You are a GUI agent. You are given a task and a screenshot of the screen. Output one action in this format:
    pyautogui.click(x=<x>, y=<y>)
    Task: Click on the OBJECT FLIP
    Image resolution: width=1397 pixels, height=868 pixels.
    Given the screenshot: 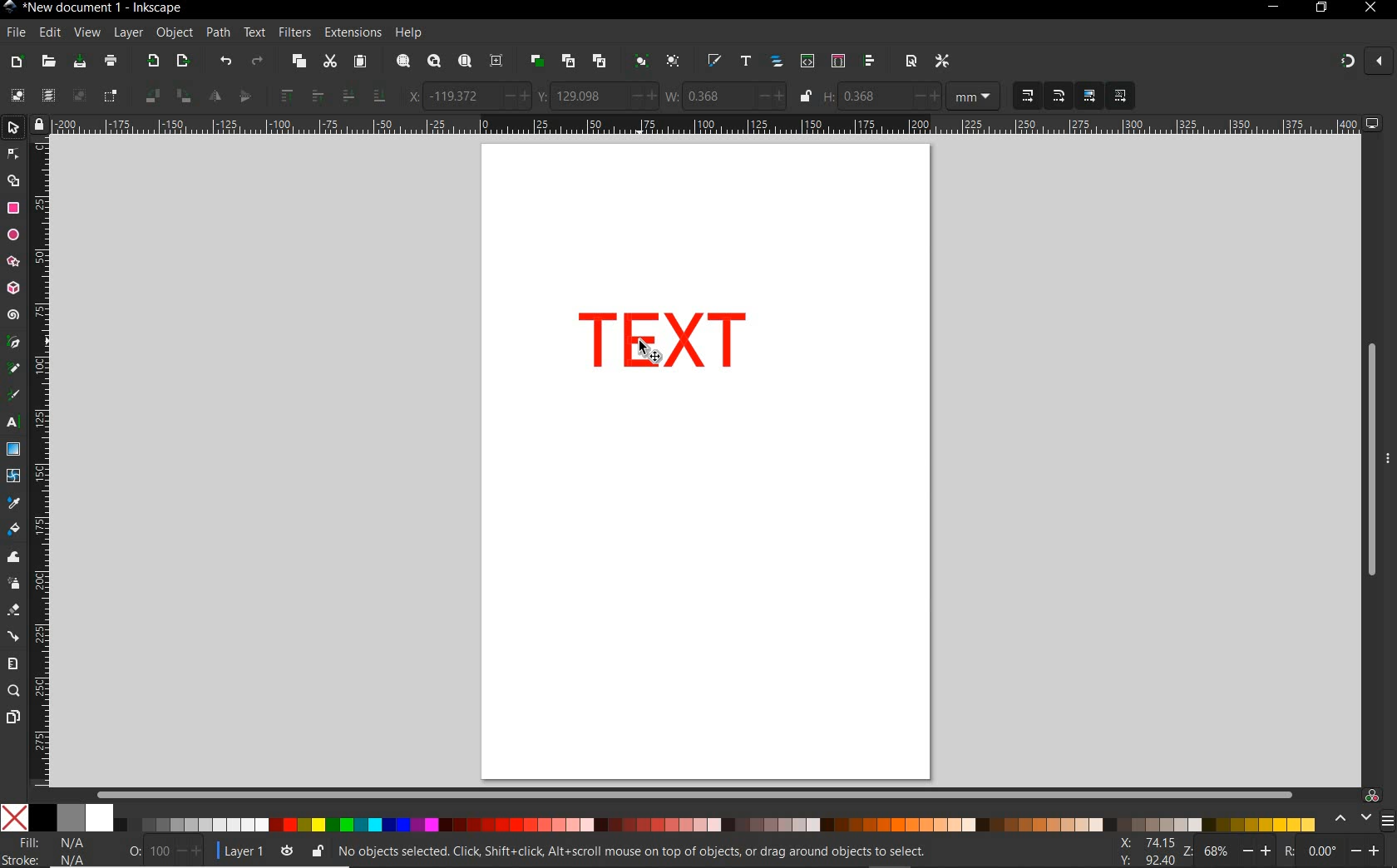 What is the action you would take?
    pyautogui.click(x=230, y=94)
    